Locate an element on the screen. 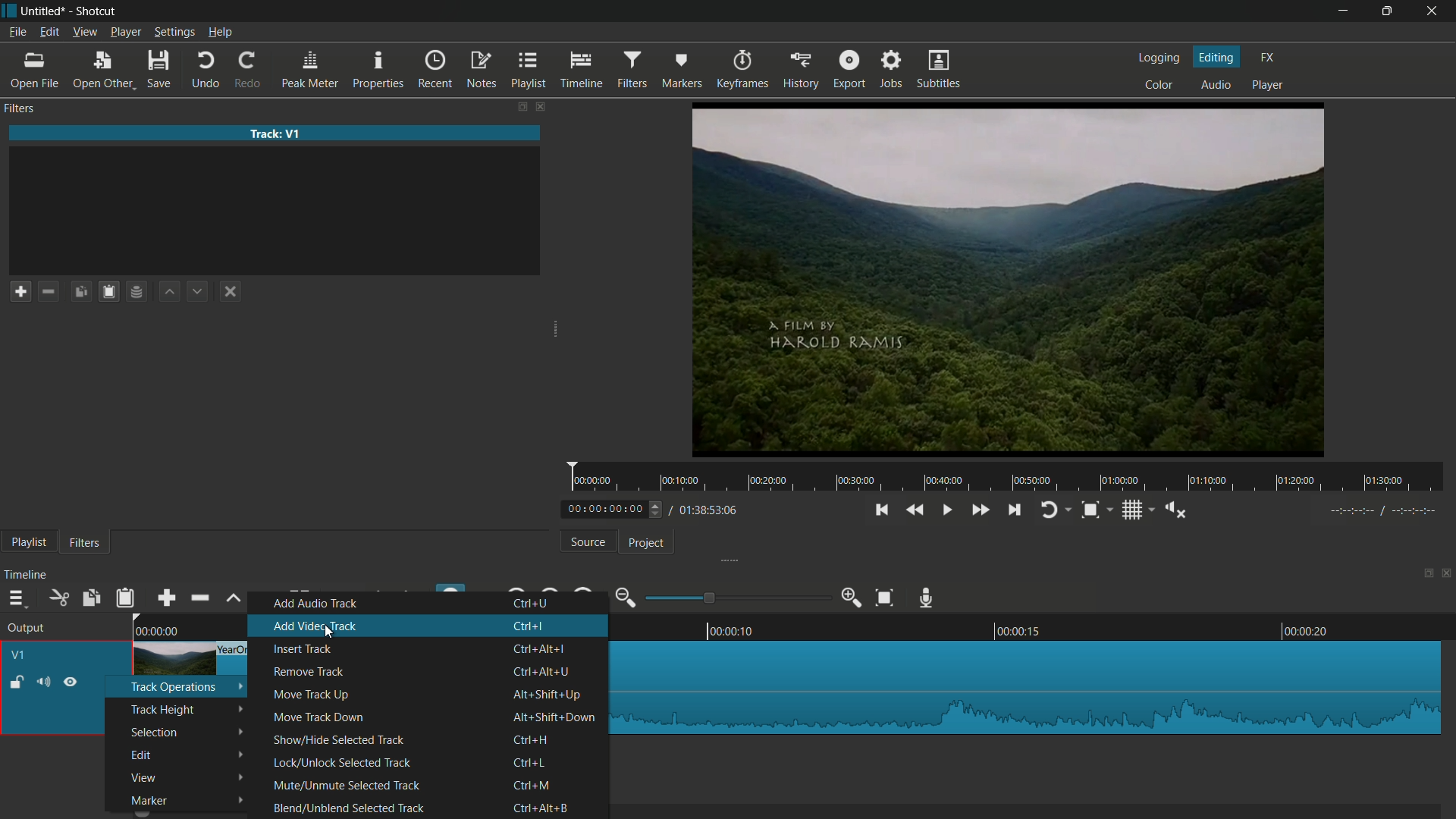 The image size is (1456, 819). playlist is located at coordinates (531, 71).